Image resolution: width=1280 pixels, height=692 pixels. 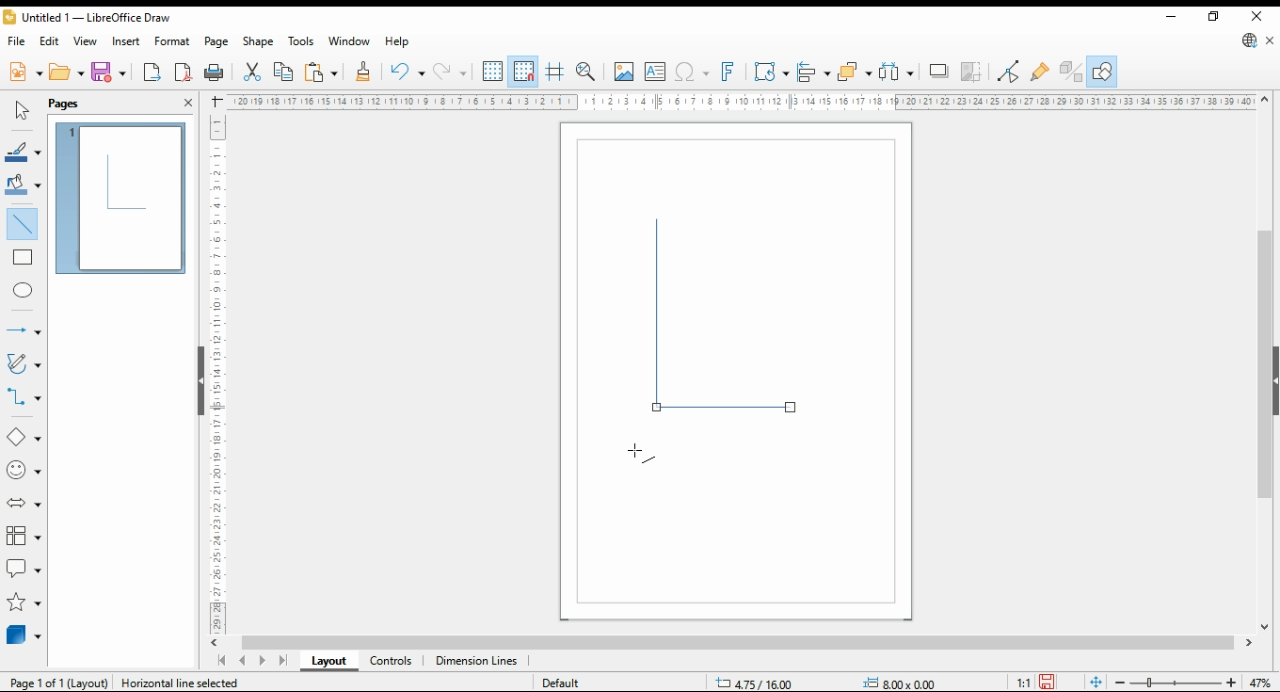 I want to click on decrease zoom, so click(x=1118, y=681).